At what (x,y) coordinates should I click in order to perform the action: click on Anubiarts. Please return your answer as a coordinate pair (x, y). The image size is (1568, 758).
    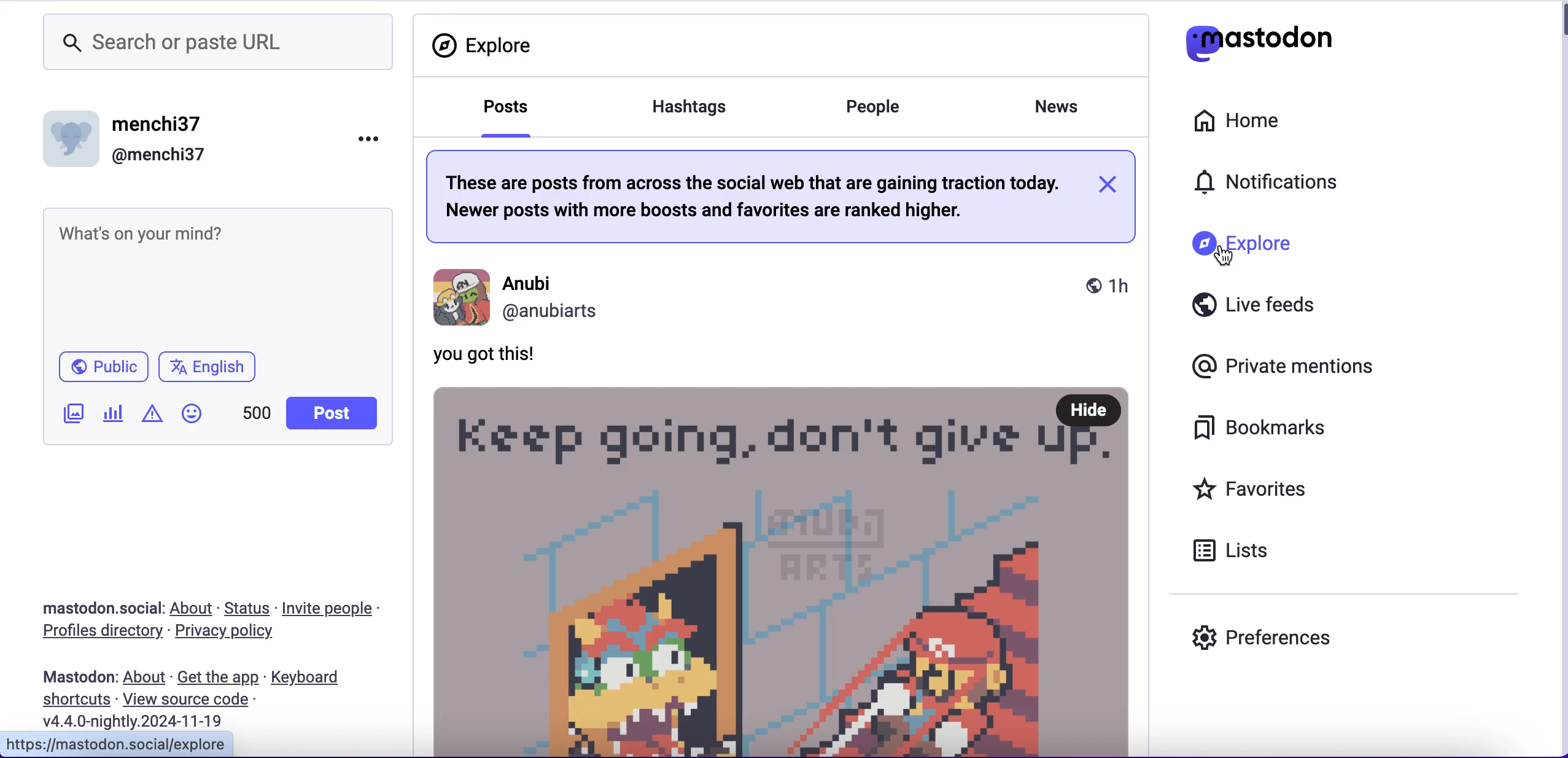
    Looking at the image, I should click on (557, 312).